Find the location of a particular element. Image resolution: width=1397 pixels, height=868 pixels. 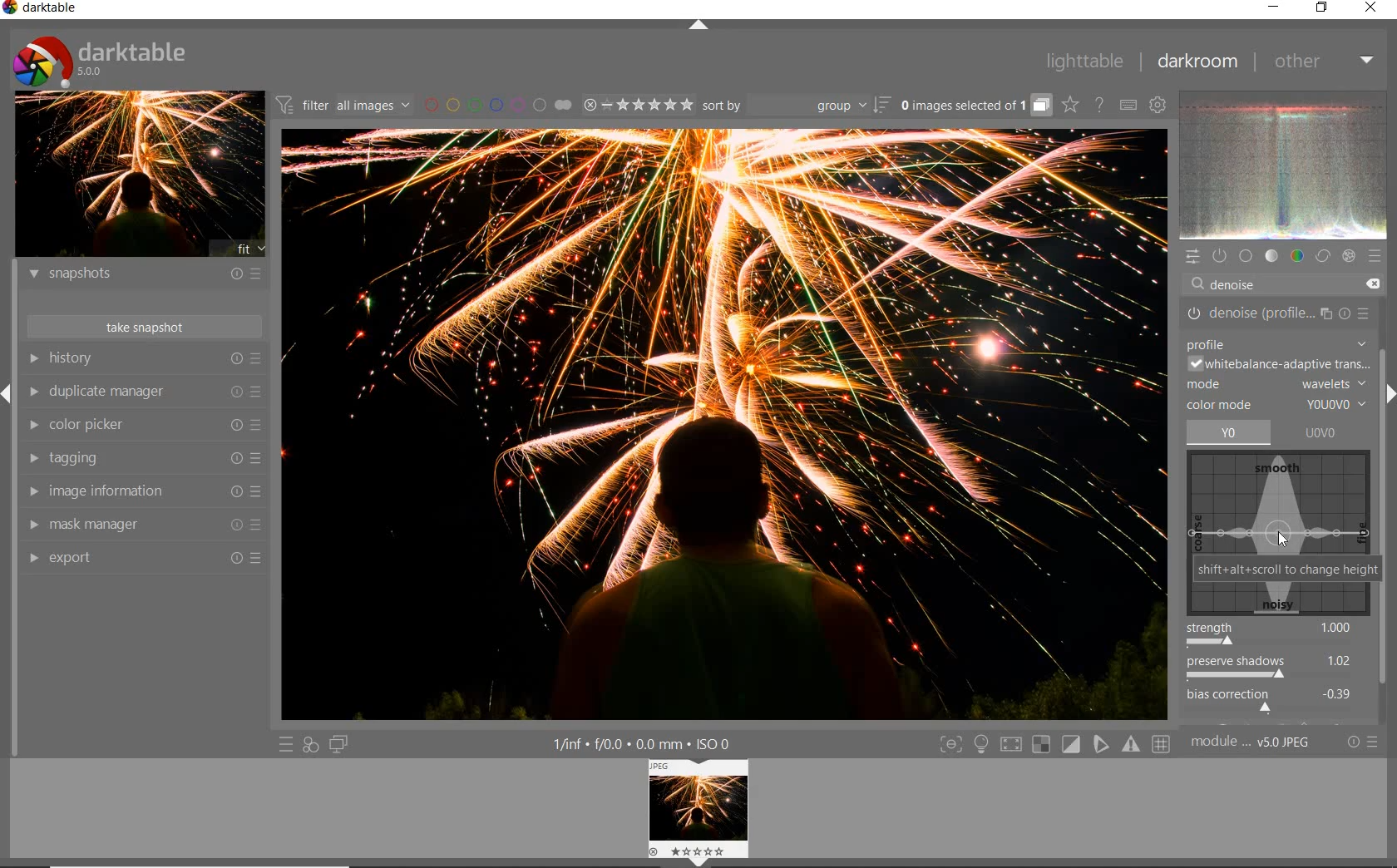

quick access to presets is located at coordinates (288, 745).